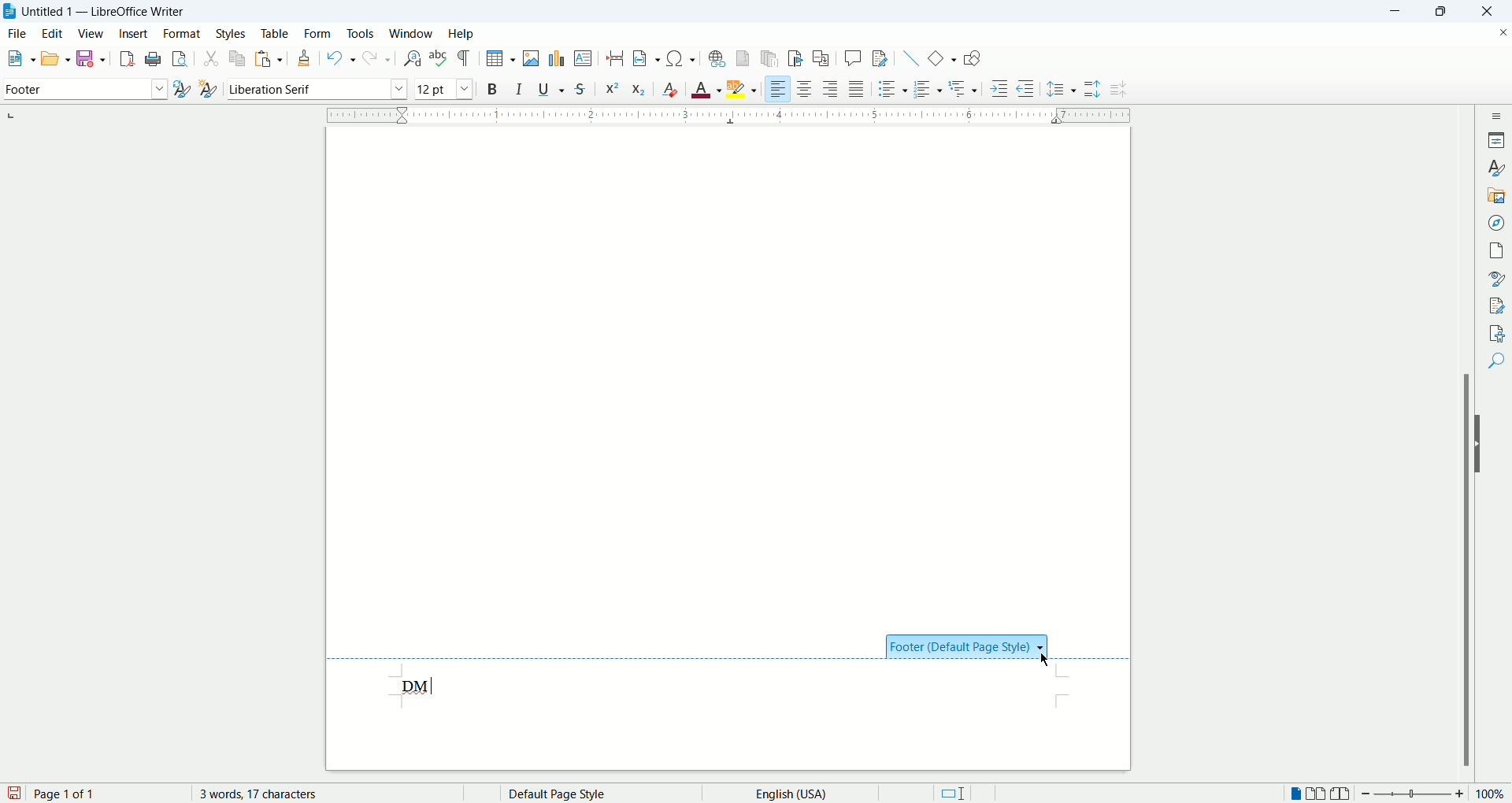 The height and width of the screenshot is (803, 1512). I want to click on unordered list, so click(890, 89).